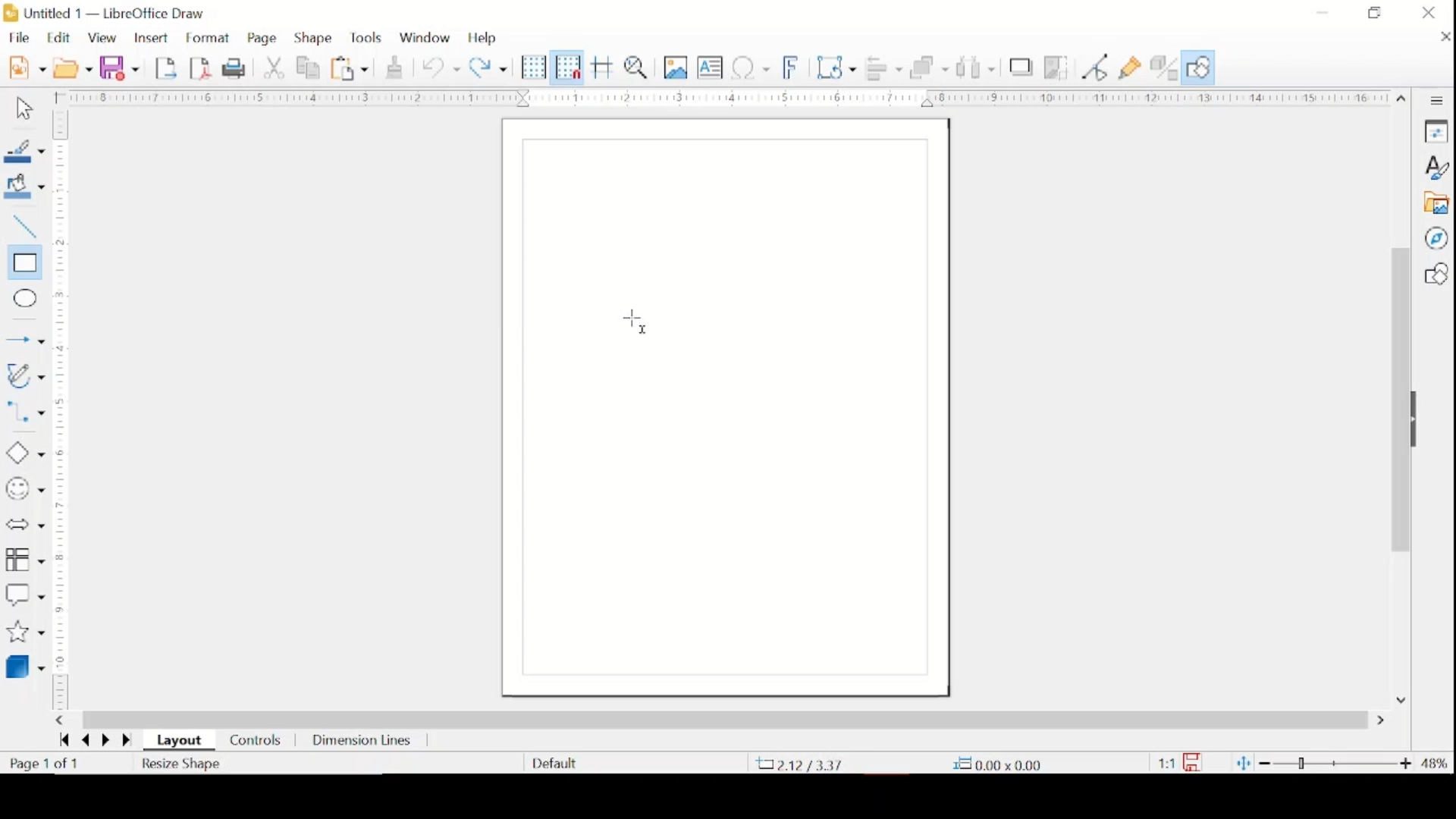  What do you see at coordinates (751, 67) in the screenshot?
I see `insert special characters` at bounding box center [751, 67].